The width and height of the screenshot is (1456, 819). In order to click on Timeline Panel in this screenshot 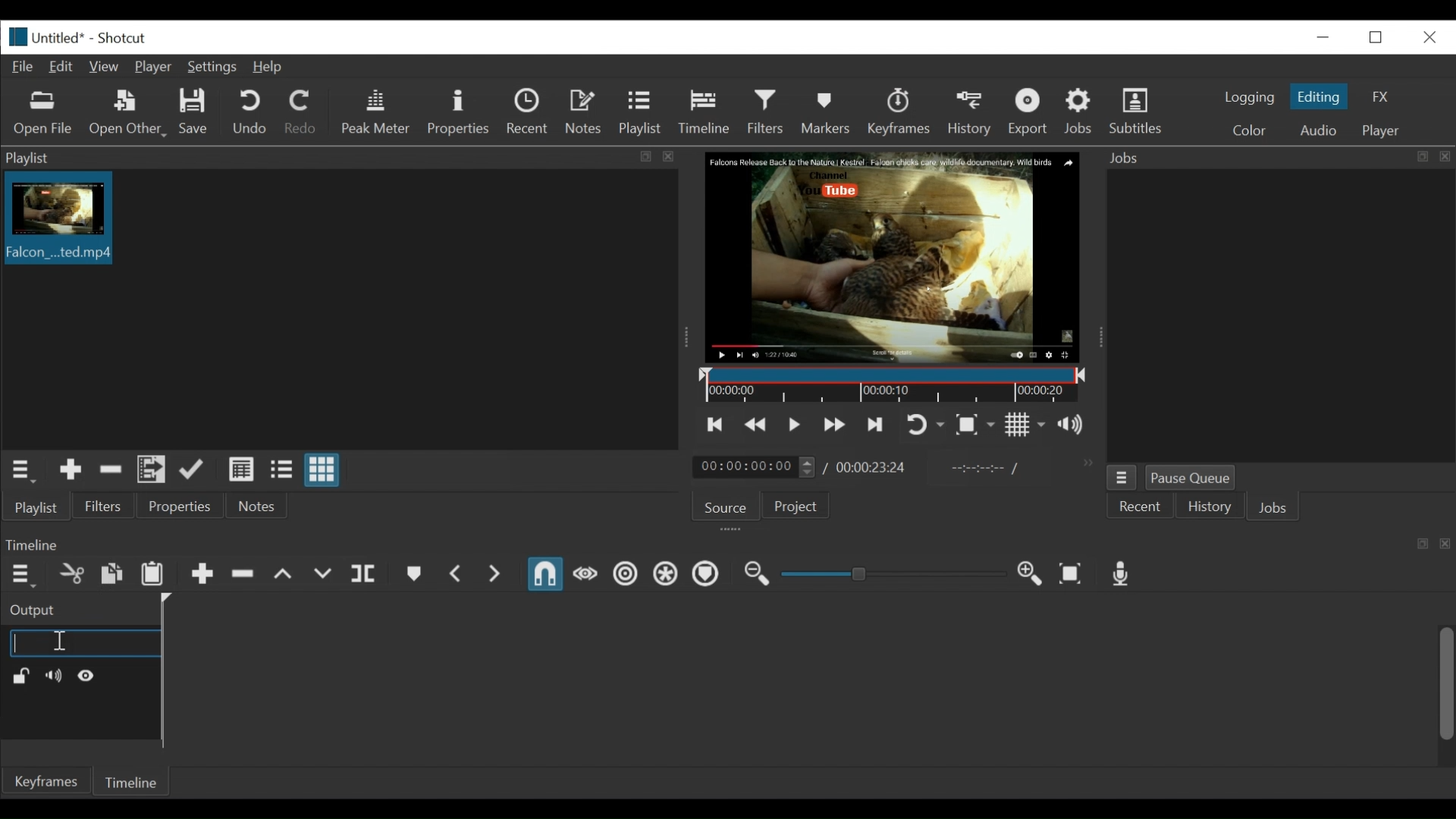, I will do `click(726, 546)`.